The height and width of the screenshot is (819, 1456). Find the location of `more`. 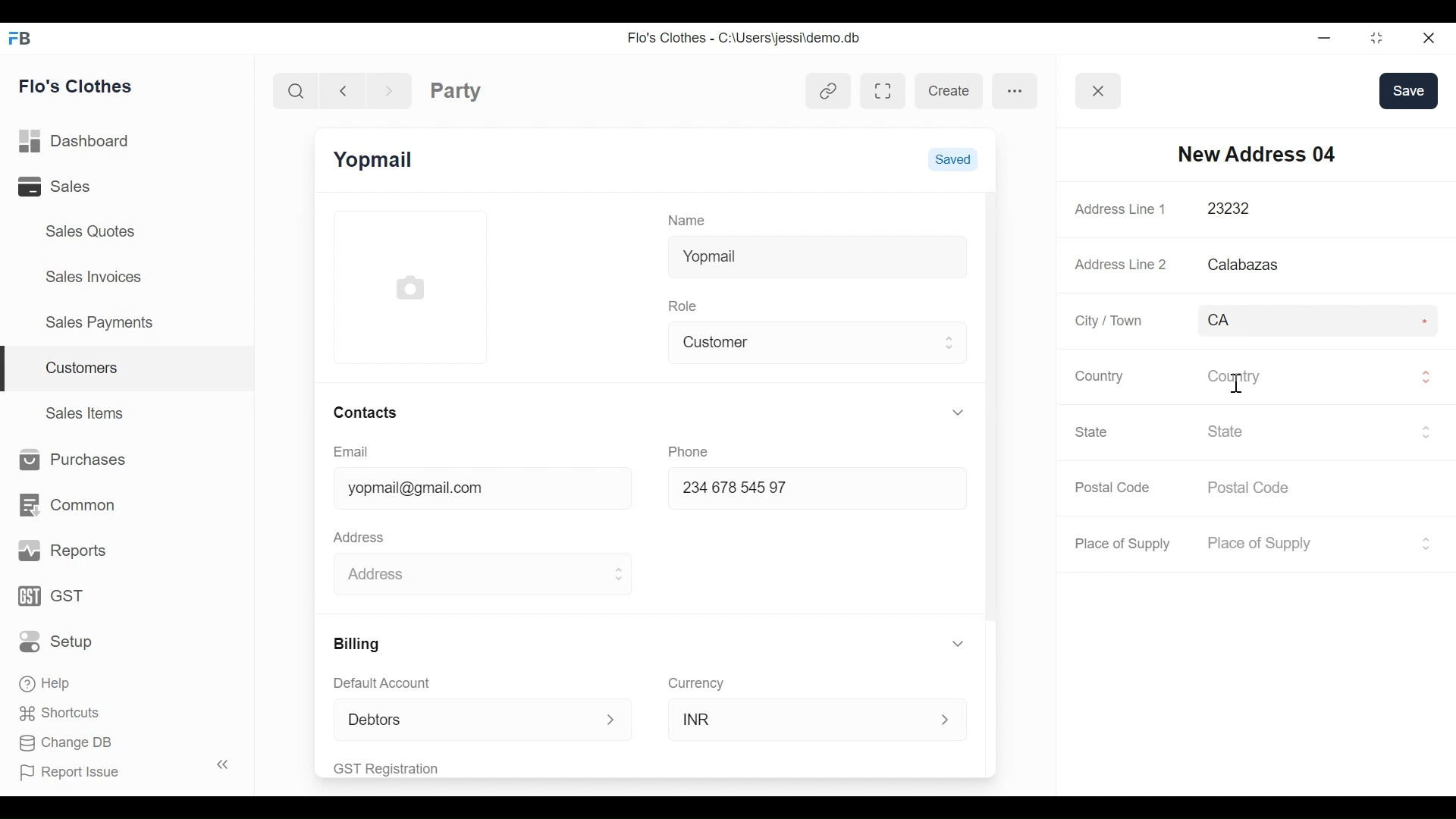

more is located at coordinates (1015, 89).